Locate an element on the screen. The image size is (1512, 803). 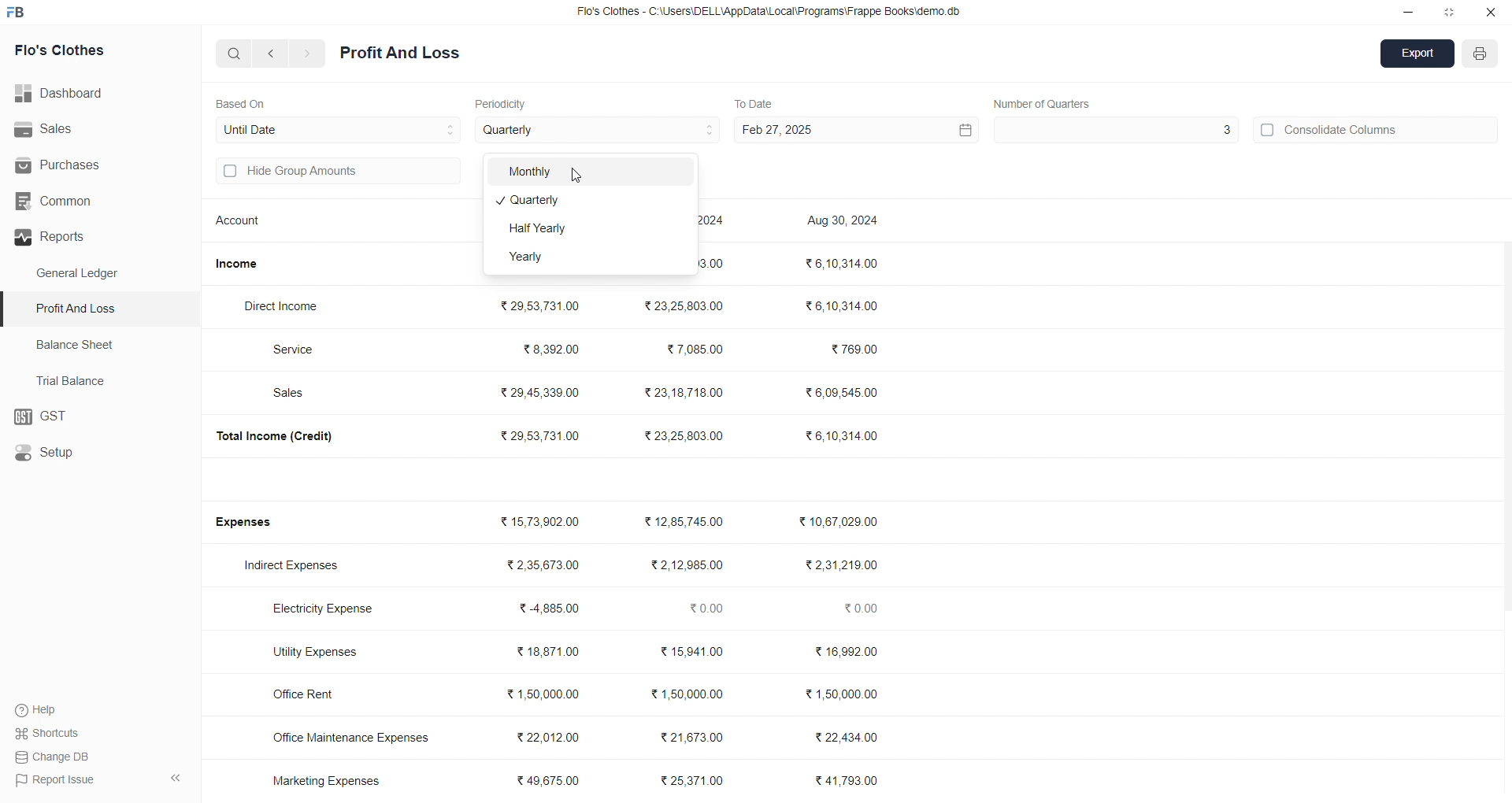
navigate backward is located at coordinates (273, 53).